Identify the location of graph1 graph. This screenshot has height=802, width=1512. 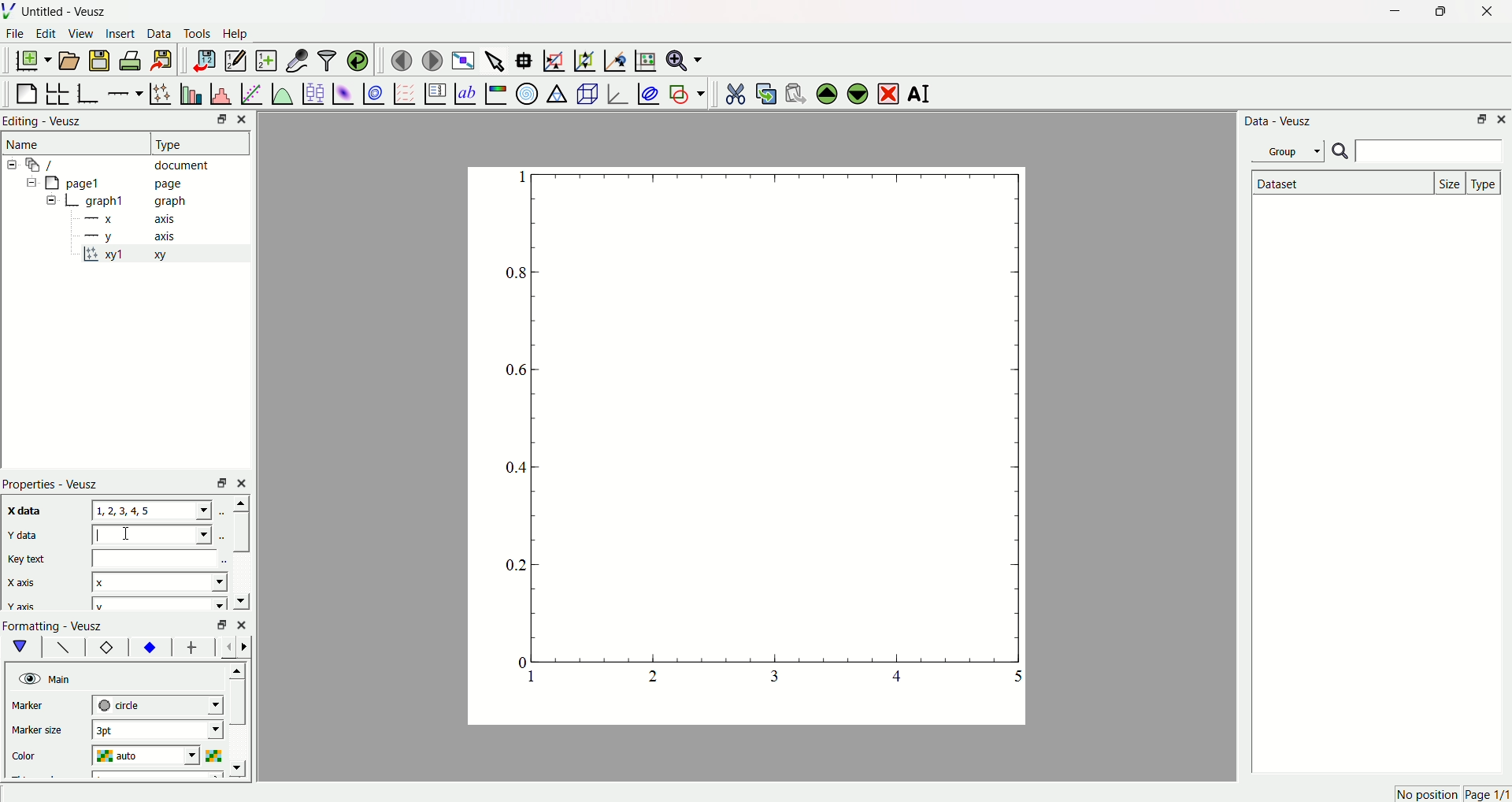
(137, 202).